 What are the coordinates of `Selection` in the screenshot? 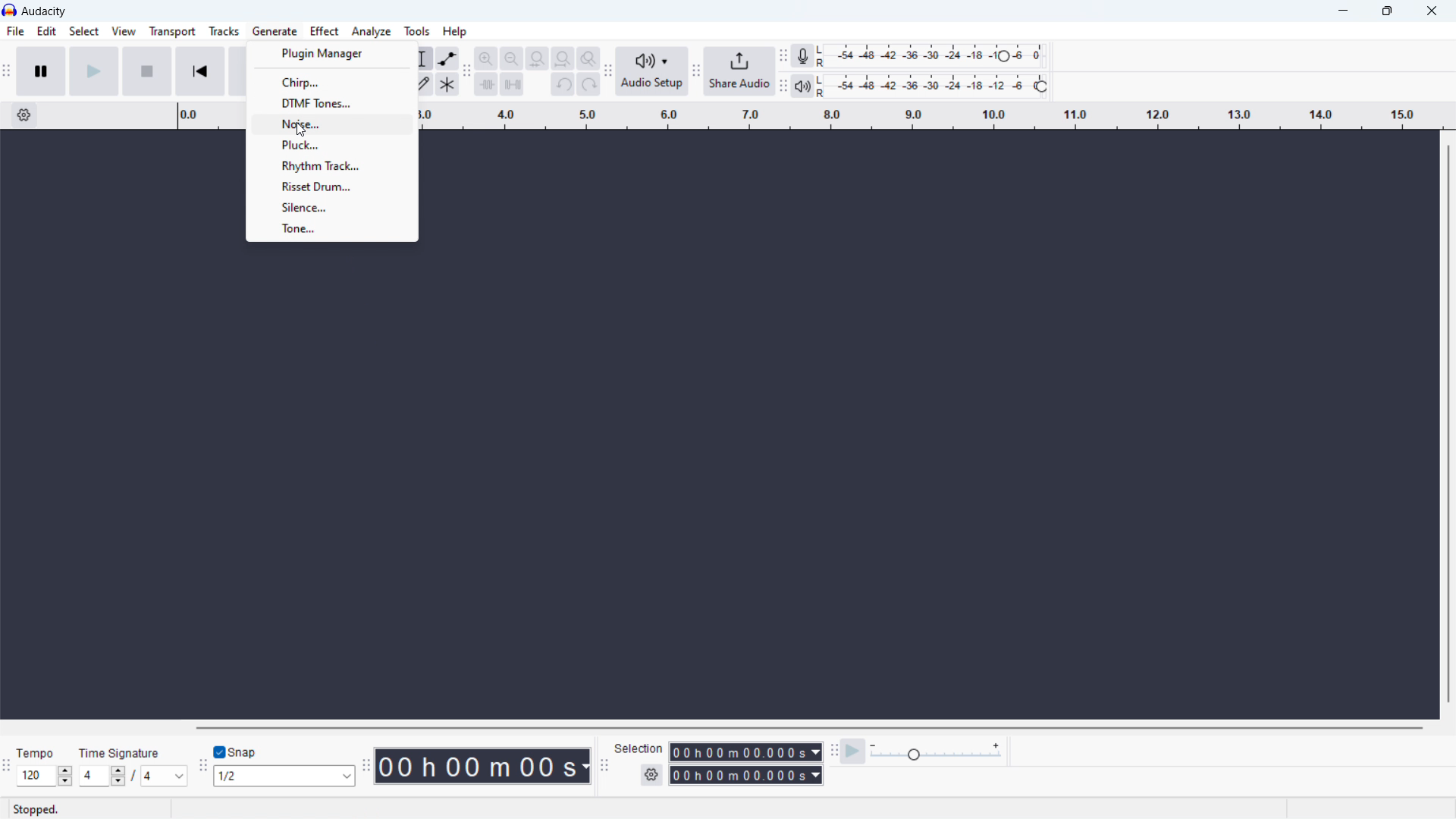 It's located at (639, 750).